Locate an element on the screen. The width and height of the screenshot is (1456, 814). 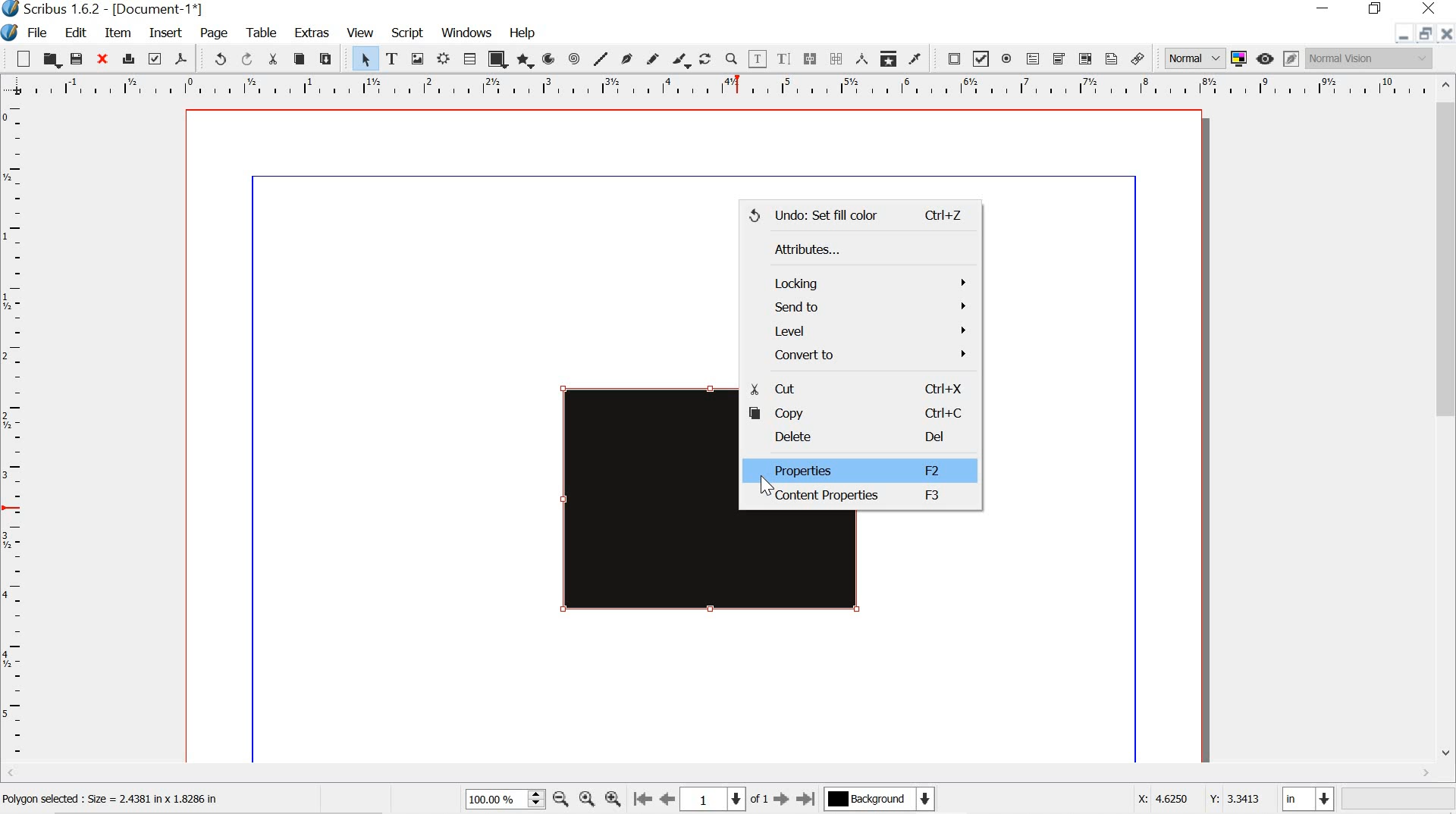
freehand line is located at coordinates (653, 59).